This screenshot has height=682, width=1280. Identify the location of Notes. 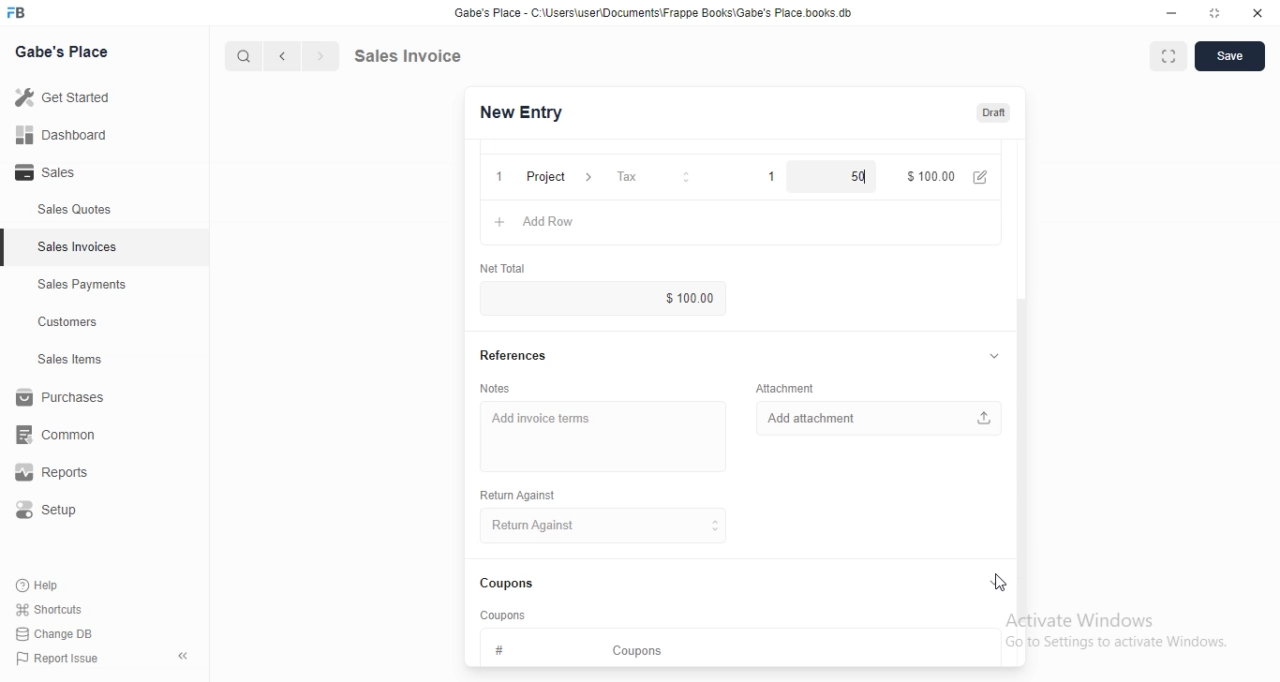
(502, 388).